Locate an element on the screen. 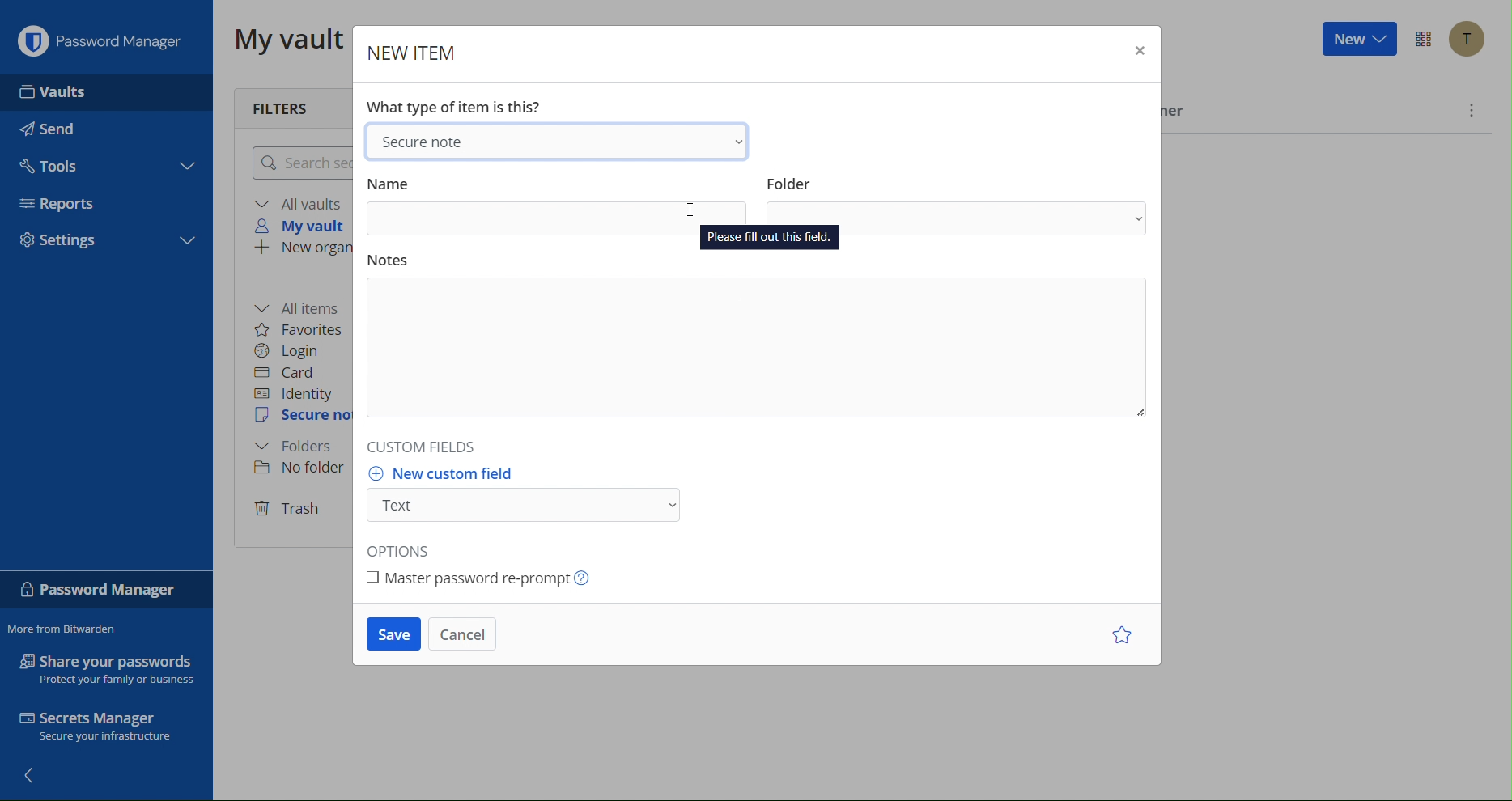 This screenshot has width=1512, height=801. Close is located at coordinates (1137, 51).